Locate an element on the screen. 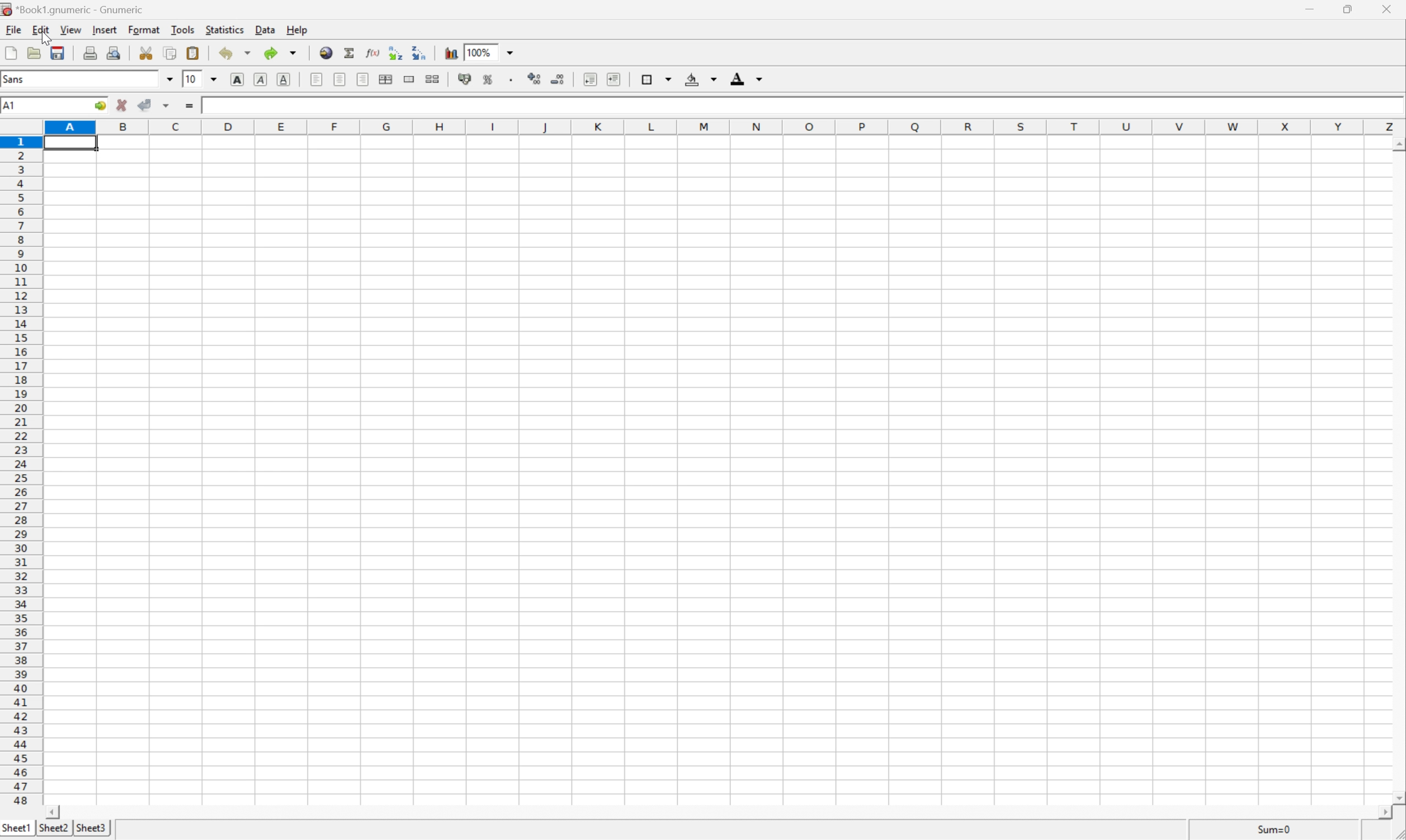  decrease indent is located at coordinates (588, 80).